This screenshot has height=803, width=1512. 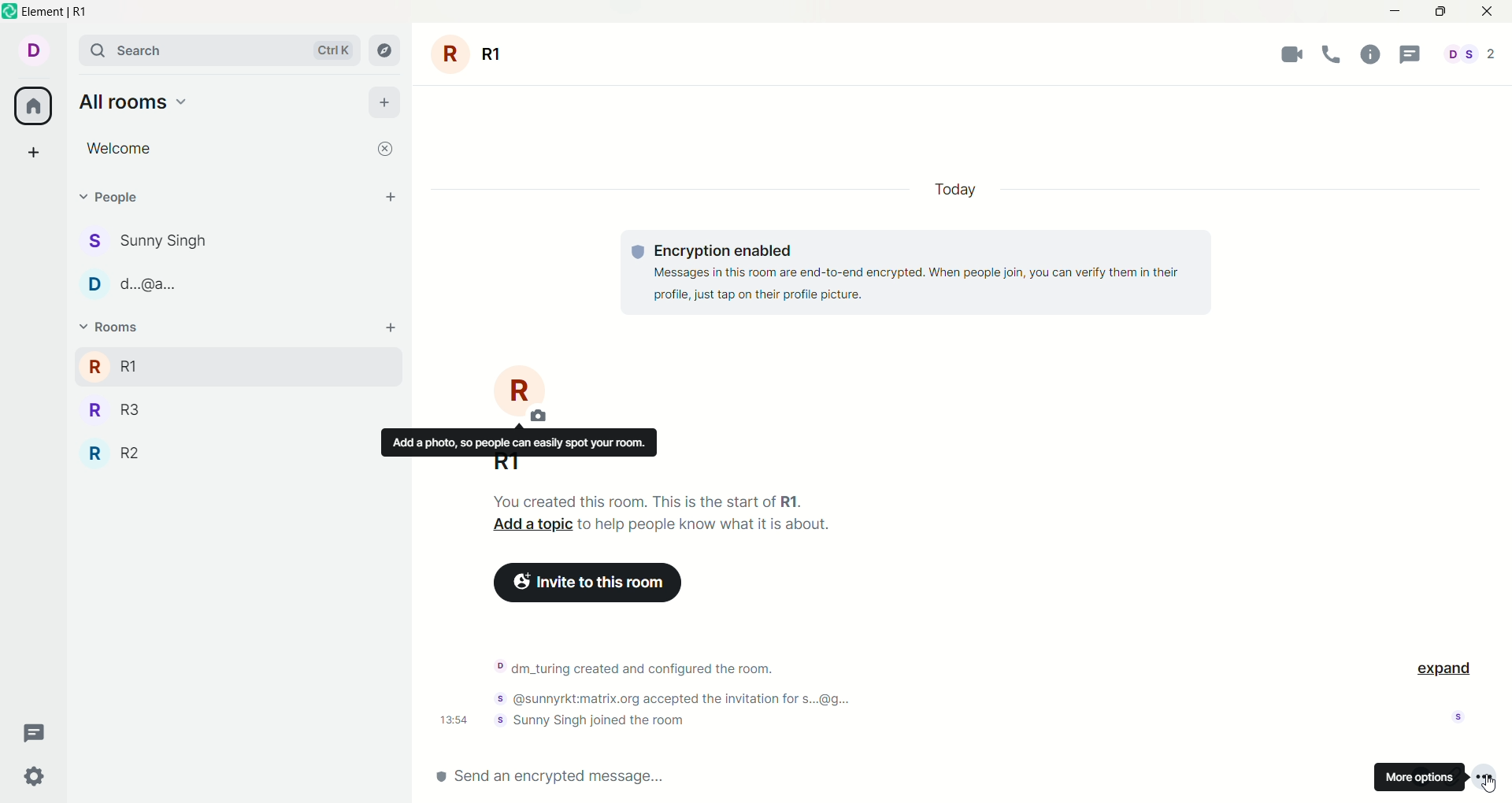 I want to click on Click to invite more people to this room, so click(x=587, y=583).